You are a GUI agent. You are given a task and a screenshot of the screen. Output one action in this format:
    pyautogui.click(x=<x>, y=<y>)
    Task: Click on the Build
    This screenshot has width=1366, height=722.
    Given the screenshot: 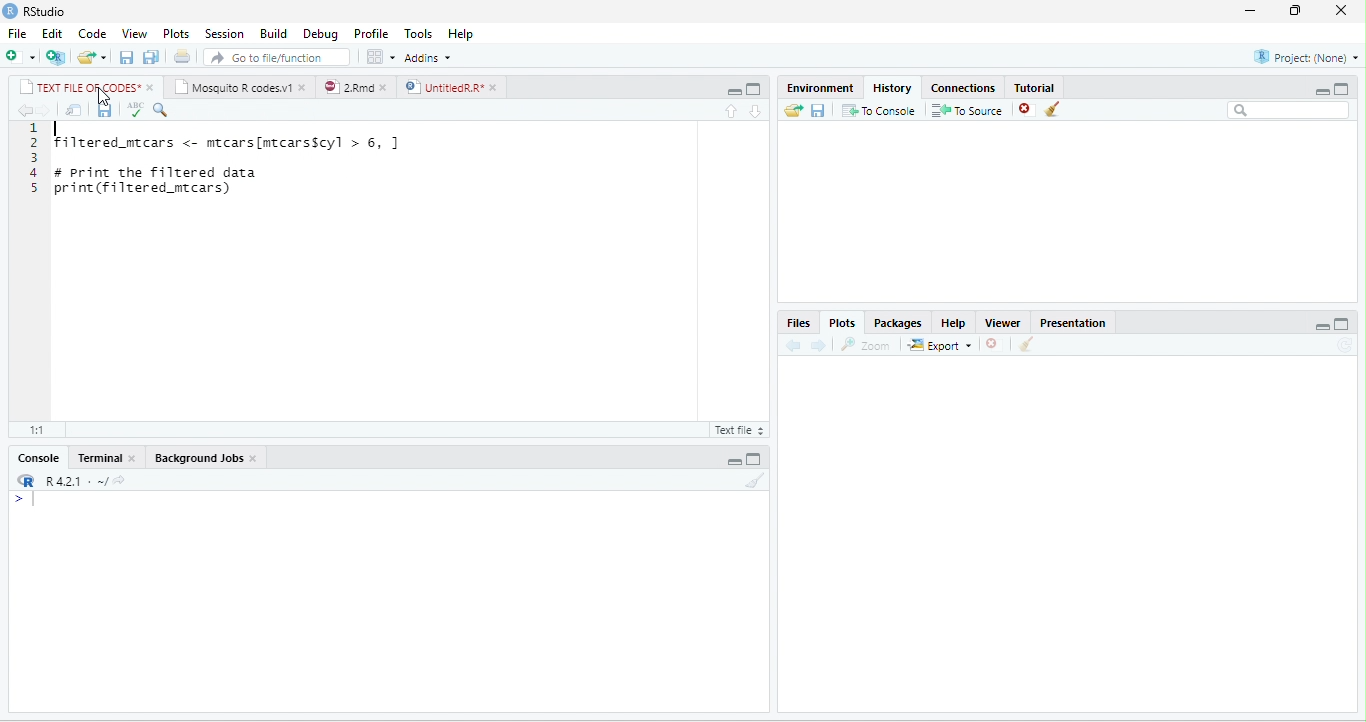 What is the action you would take?
    pyautogui.click(x=273, y=33)
    